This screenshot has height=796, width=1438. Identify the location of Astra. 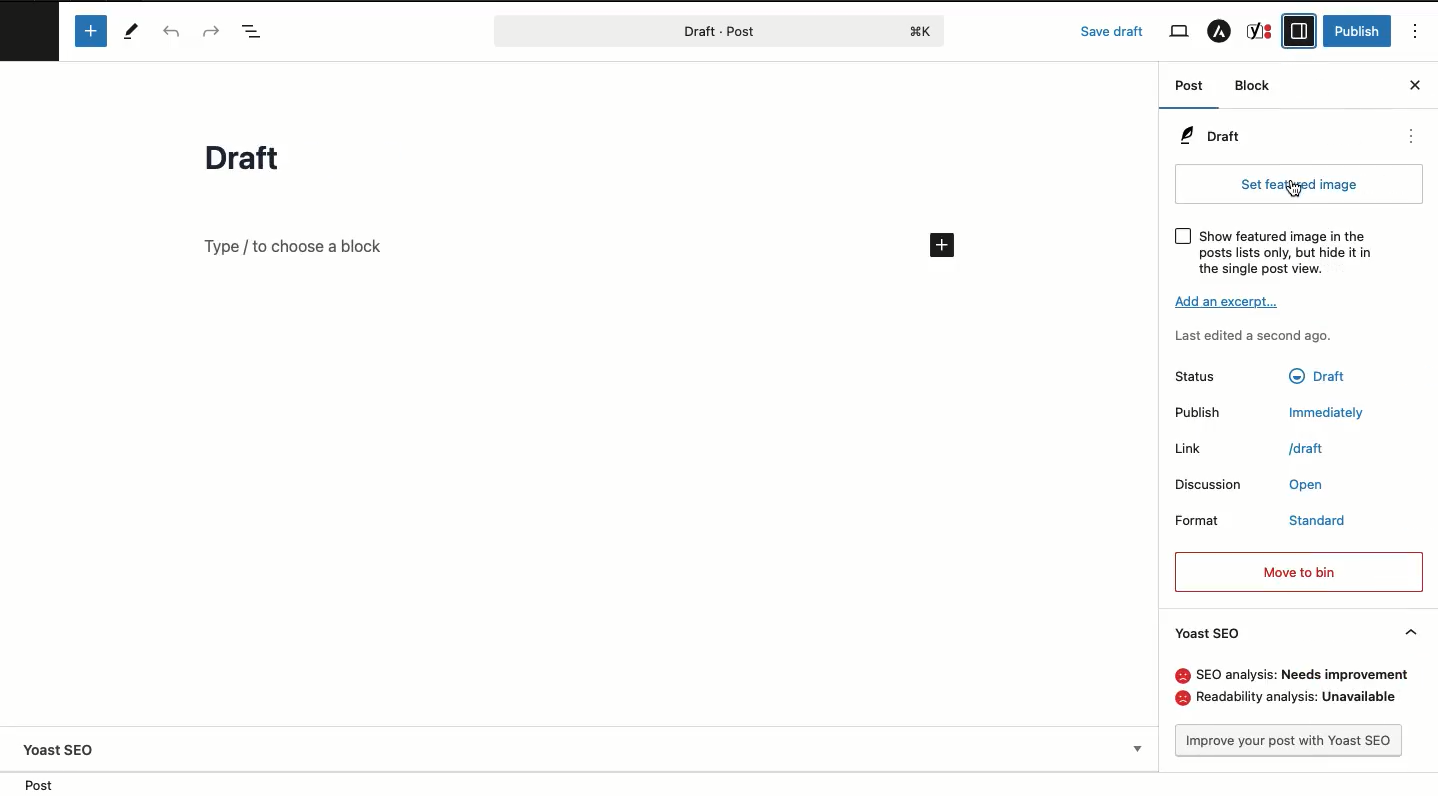
(1220, 34).